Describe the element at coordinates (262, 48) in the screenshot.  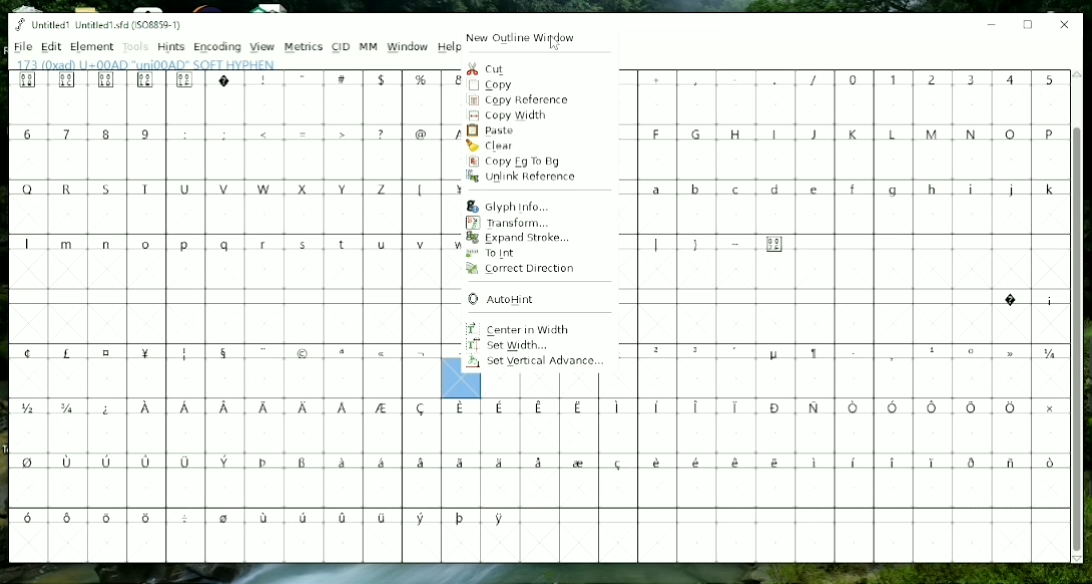
I see `View` at that location.